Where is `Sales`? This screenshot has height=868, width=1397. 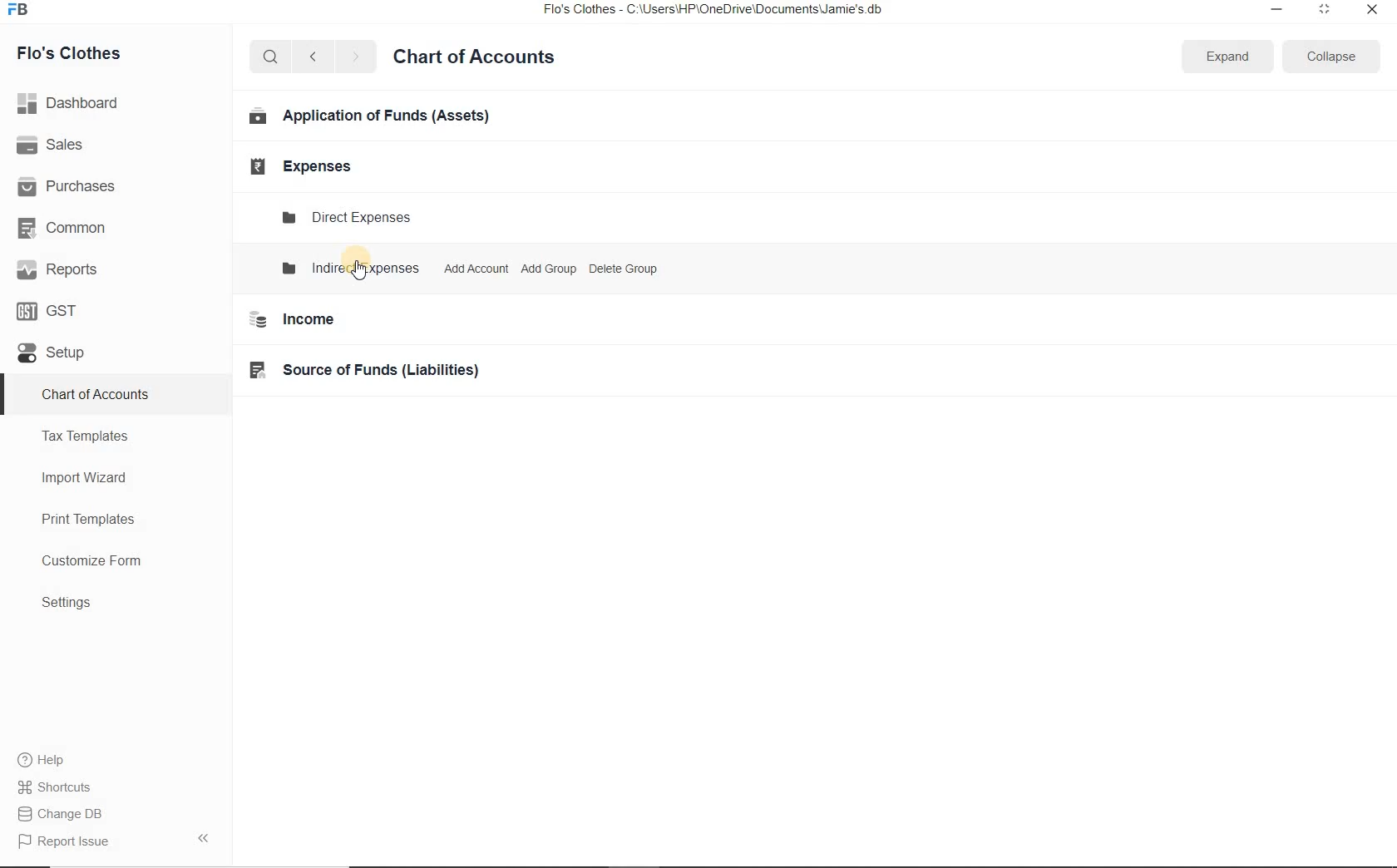 Sales is located at coordinates (53, 145).